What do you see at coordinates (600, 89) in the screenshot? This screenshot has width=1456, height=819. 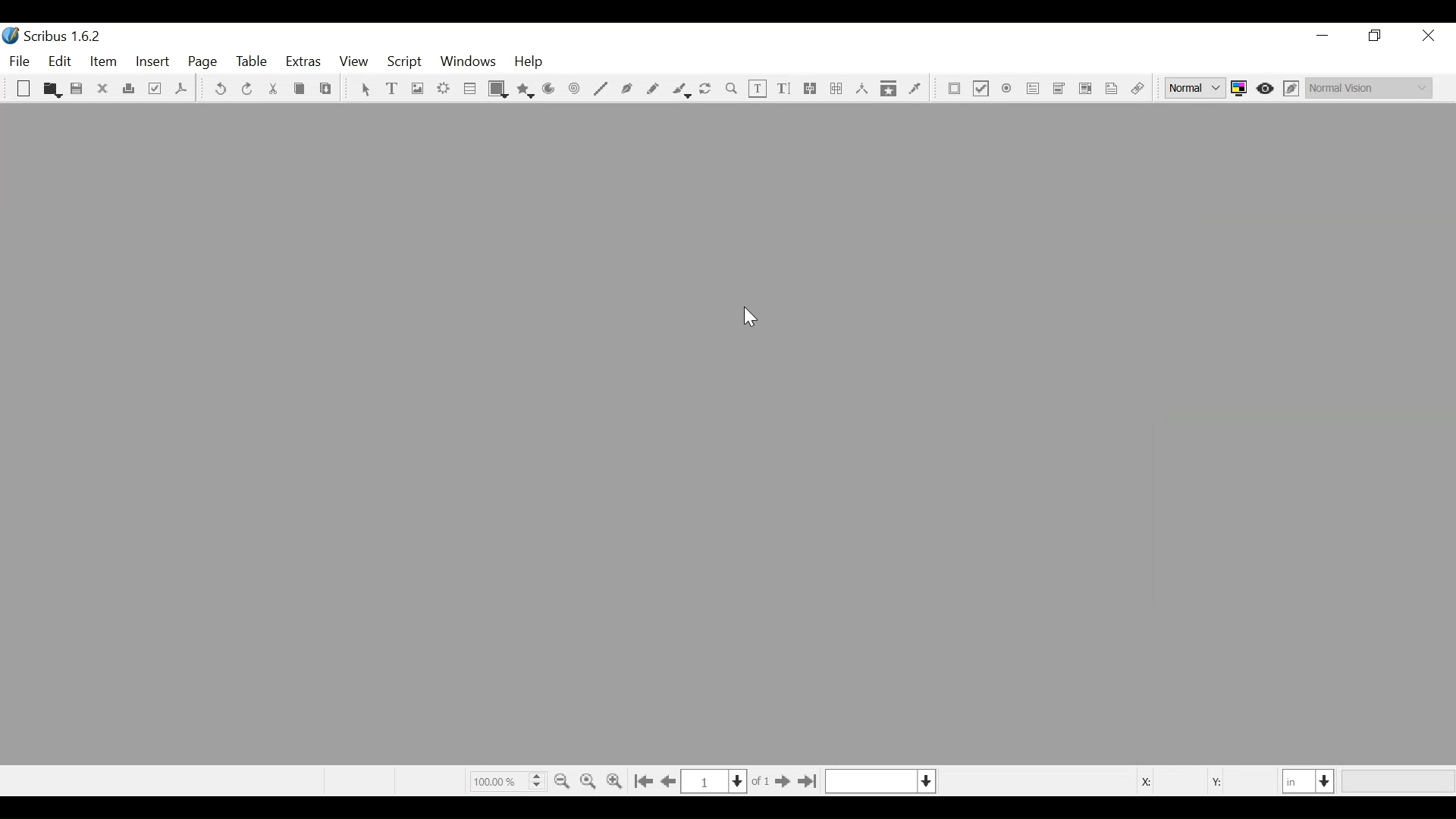 I see `Line` at bounding box center [600, 89].